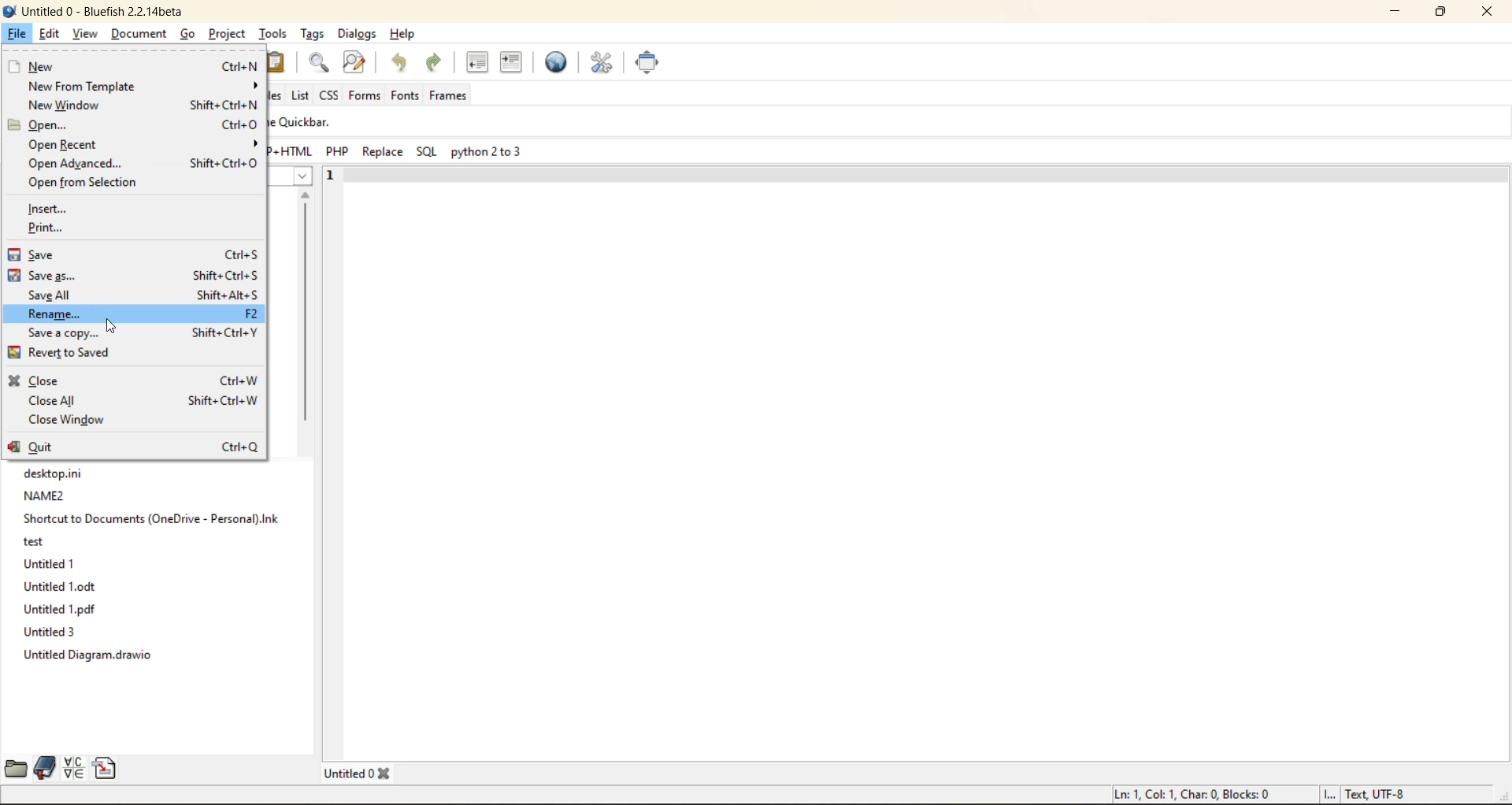 This screenshot has width=1512, height=805. Describe the element at coordinates (226, 402) in the screenshot. I see `Shift+Ctrl+W |` at that location.